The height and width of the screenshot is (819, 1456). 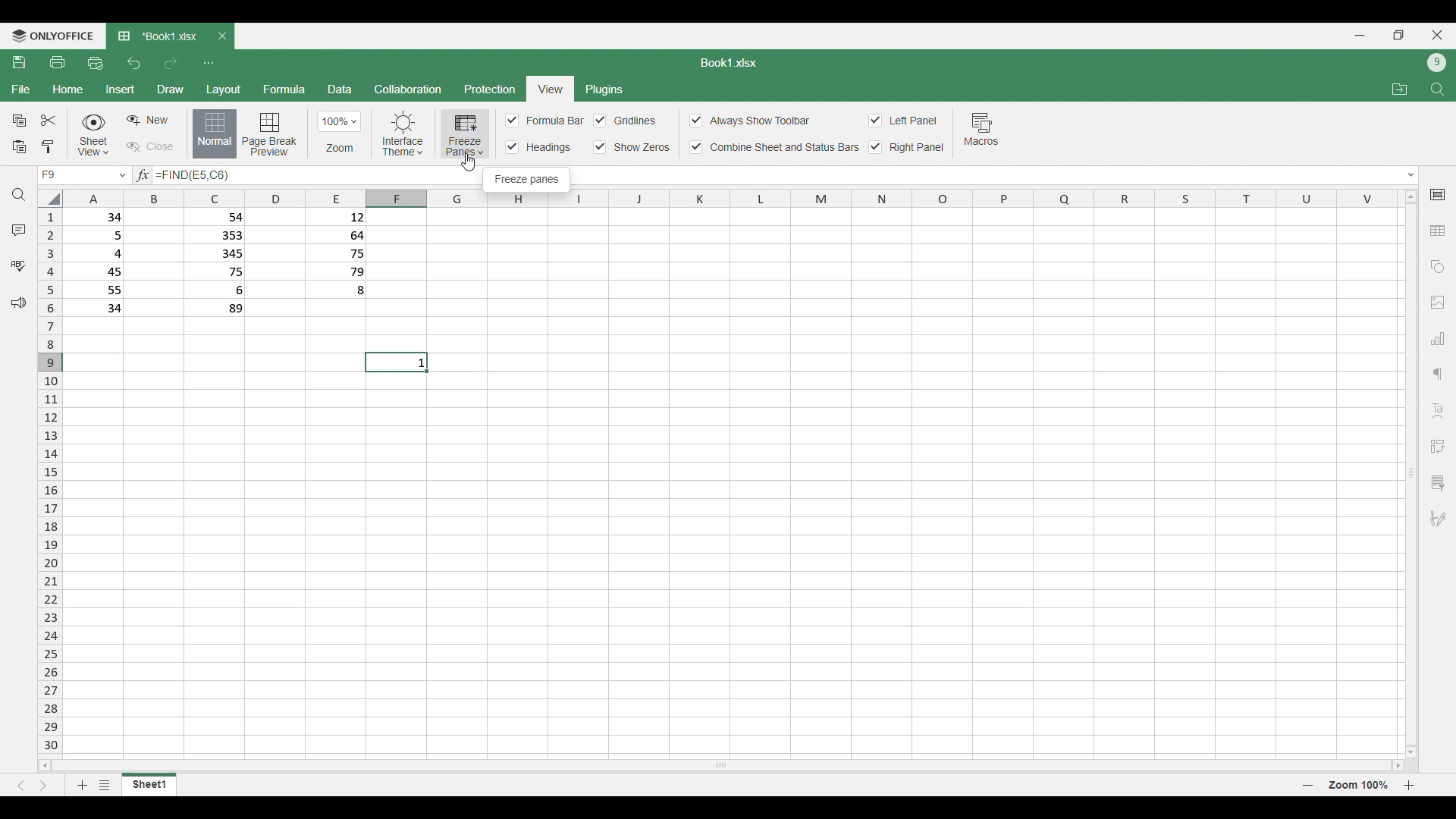 What do you see at coordinates (551, 86) in the screenshot?
I see `current selection: View menu` at bounding box center [551, 86].